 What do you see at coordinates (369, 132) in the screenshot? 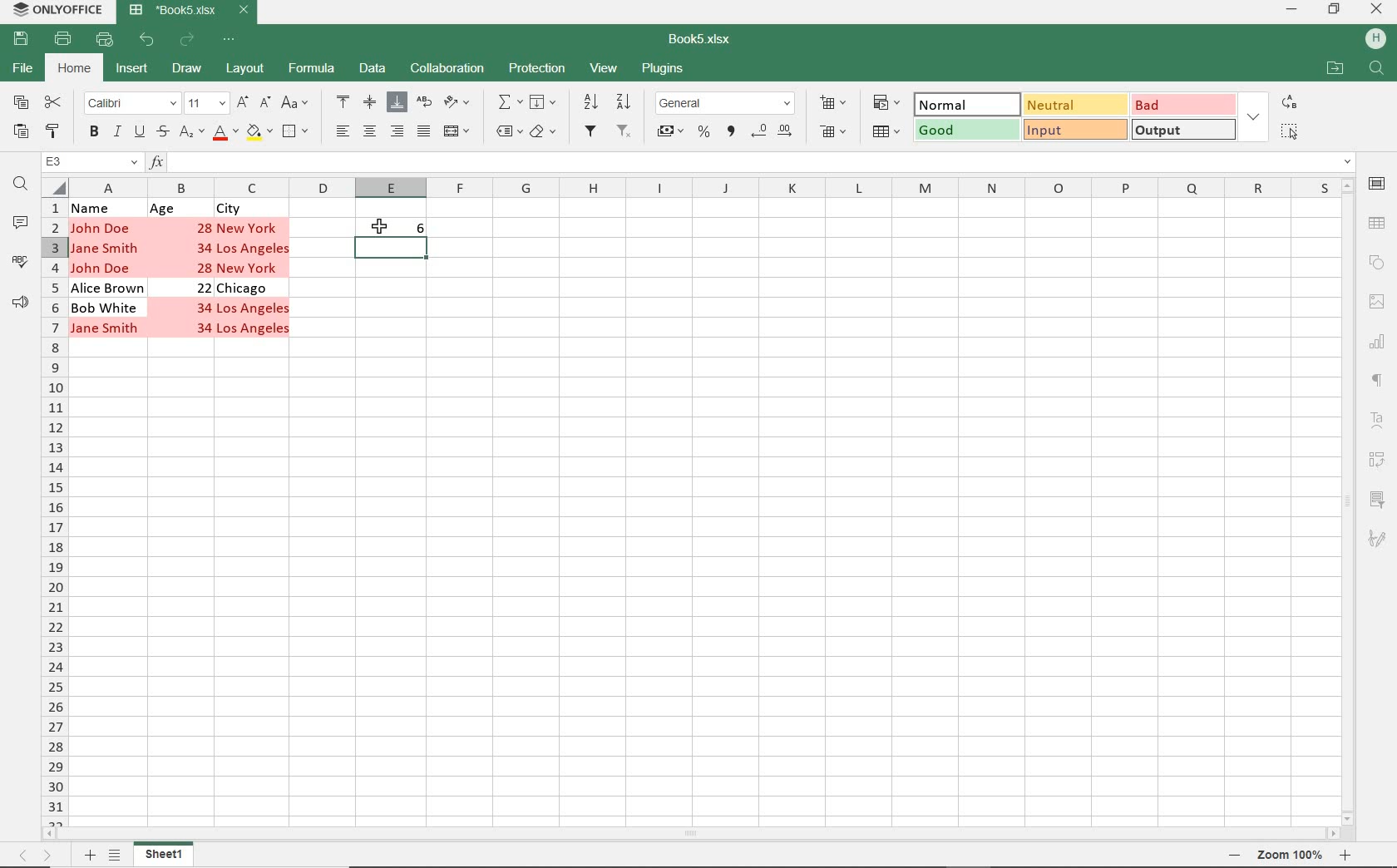
I see `ALIGN CENTER` at bounding box center [369, 132].